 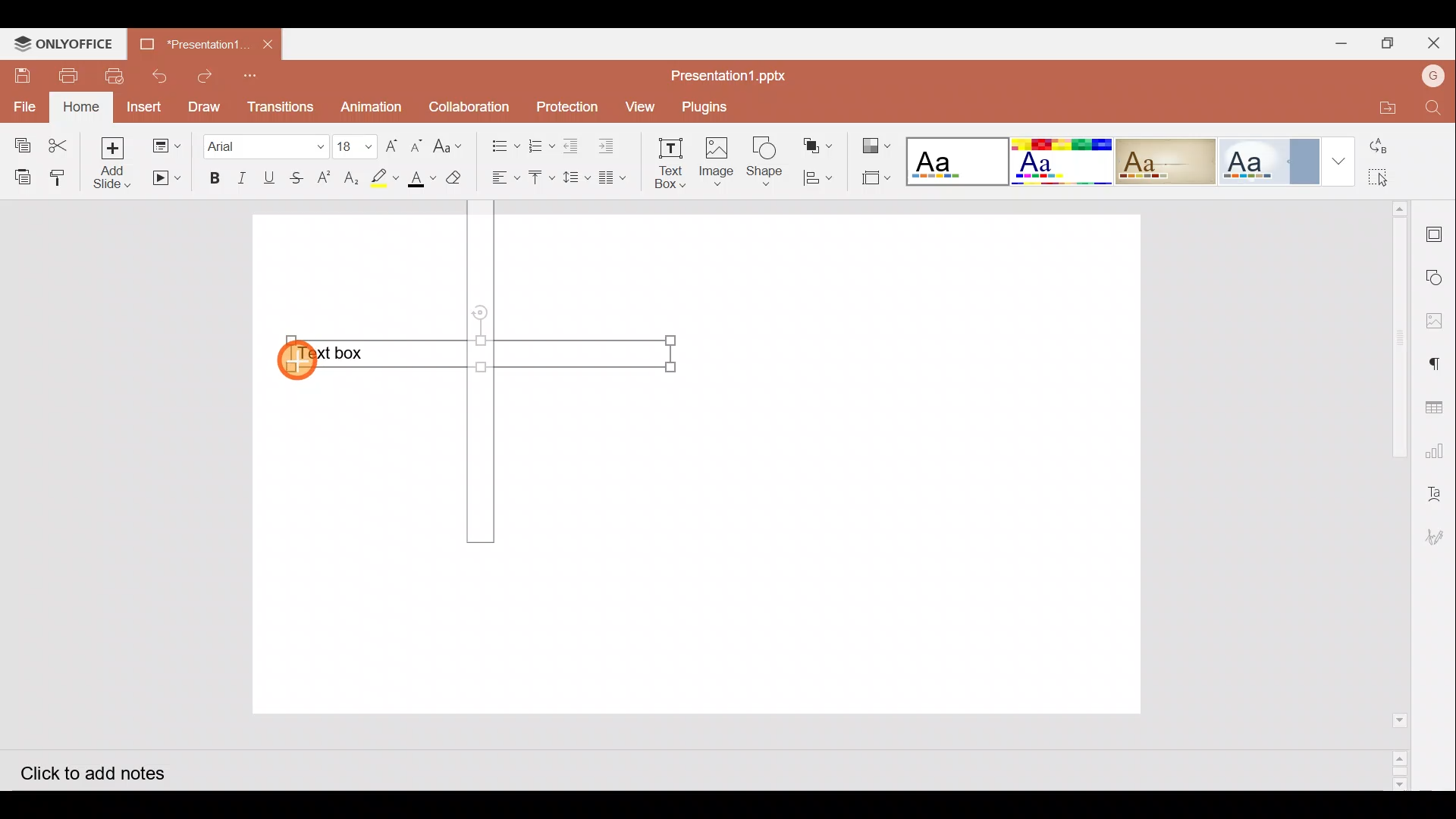 I want to click on Insert, so click(x=144, y=107).